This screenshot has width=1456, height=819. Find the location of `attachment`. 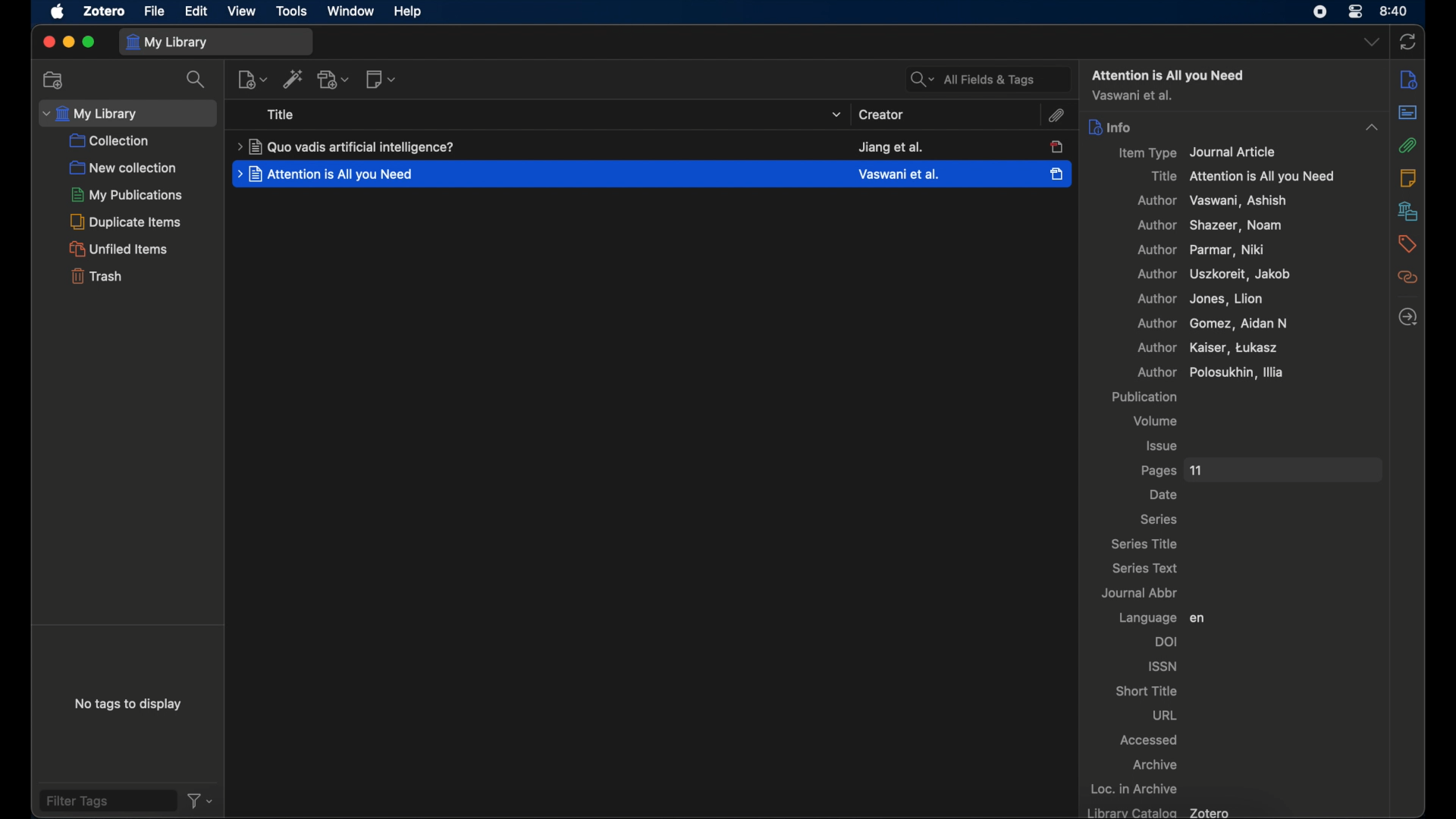

attachment is located at coordinates (1059, 116).